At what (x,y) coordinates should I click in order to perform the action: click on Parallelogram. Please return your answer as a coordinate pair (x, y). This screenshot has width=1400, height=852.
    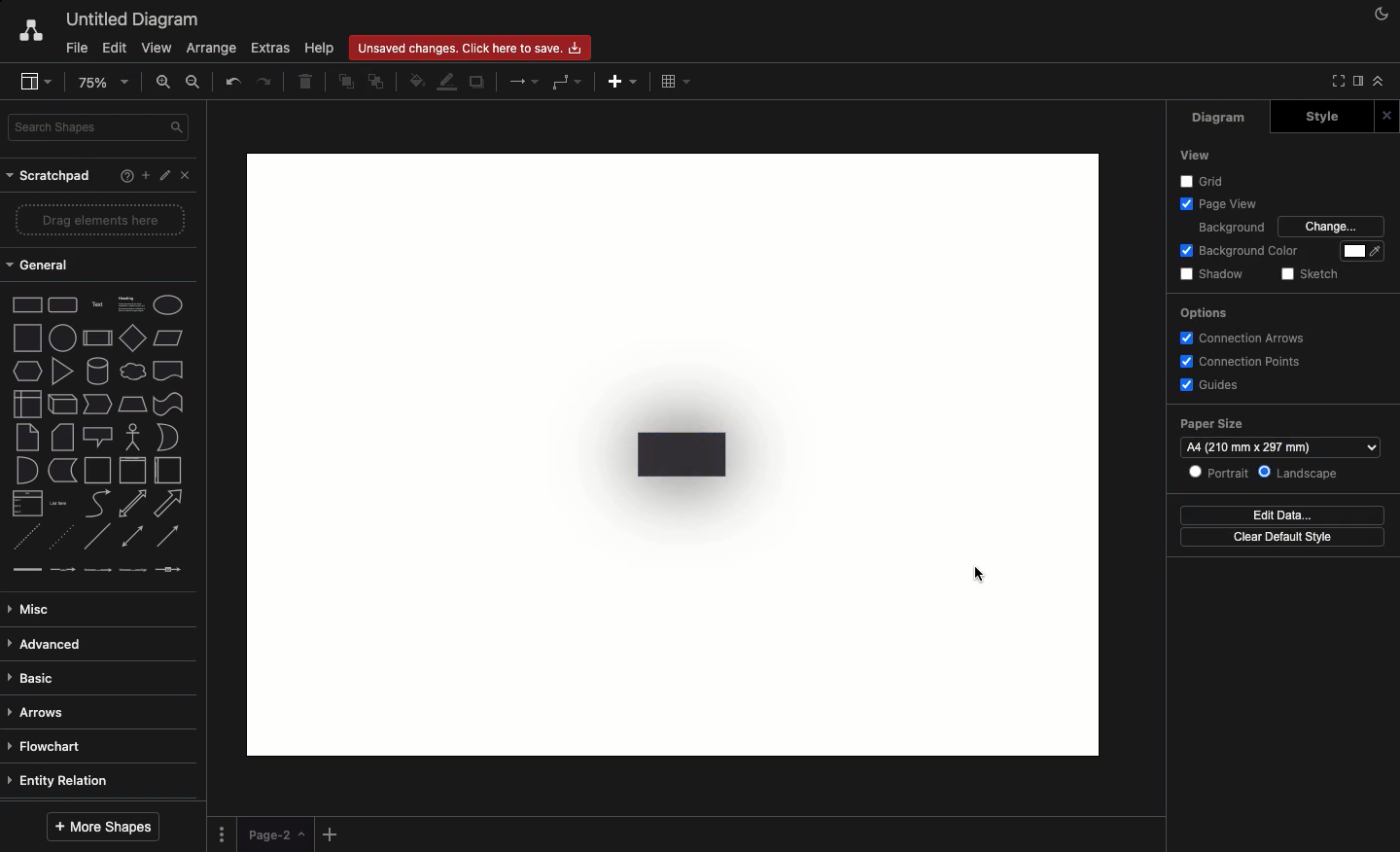
    Looking at the image, I should click on (166, 337).